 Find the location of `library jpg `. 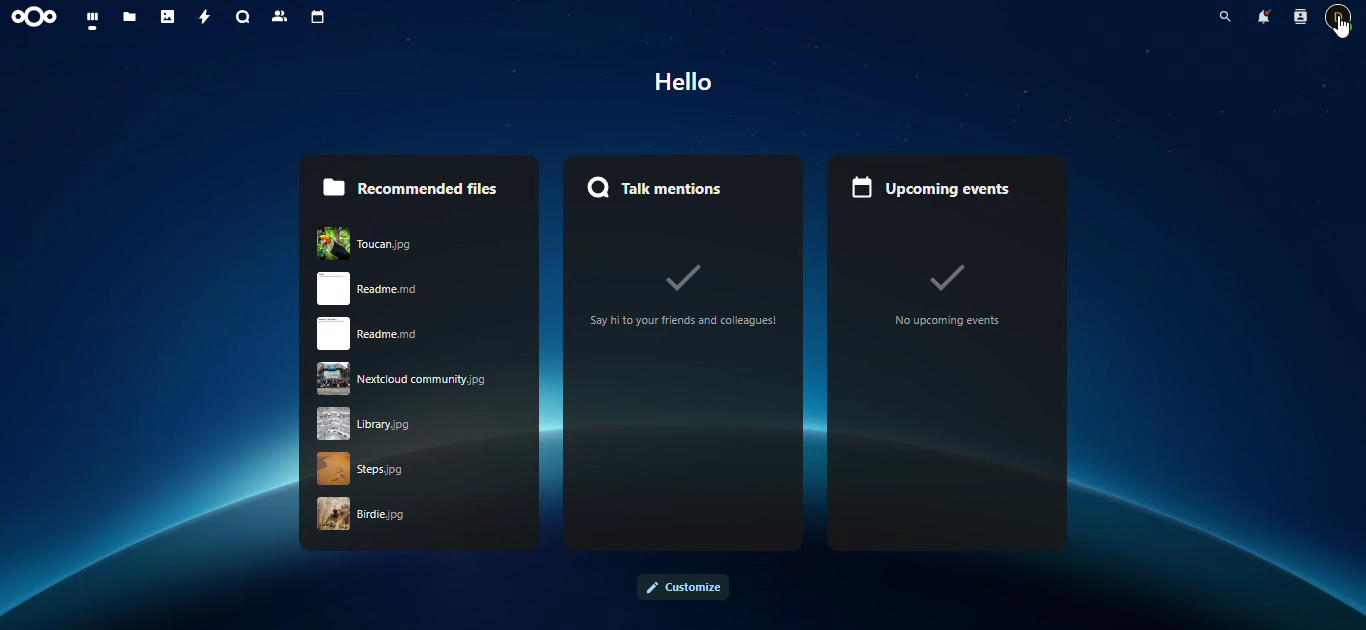

library jpg  is located at coordinates (402, 426).